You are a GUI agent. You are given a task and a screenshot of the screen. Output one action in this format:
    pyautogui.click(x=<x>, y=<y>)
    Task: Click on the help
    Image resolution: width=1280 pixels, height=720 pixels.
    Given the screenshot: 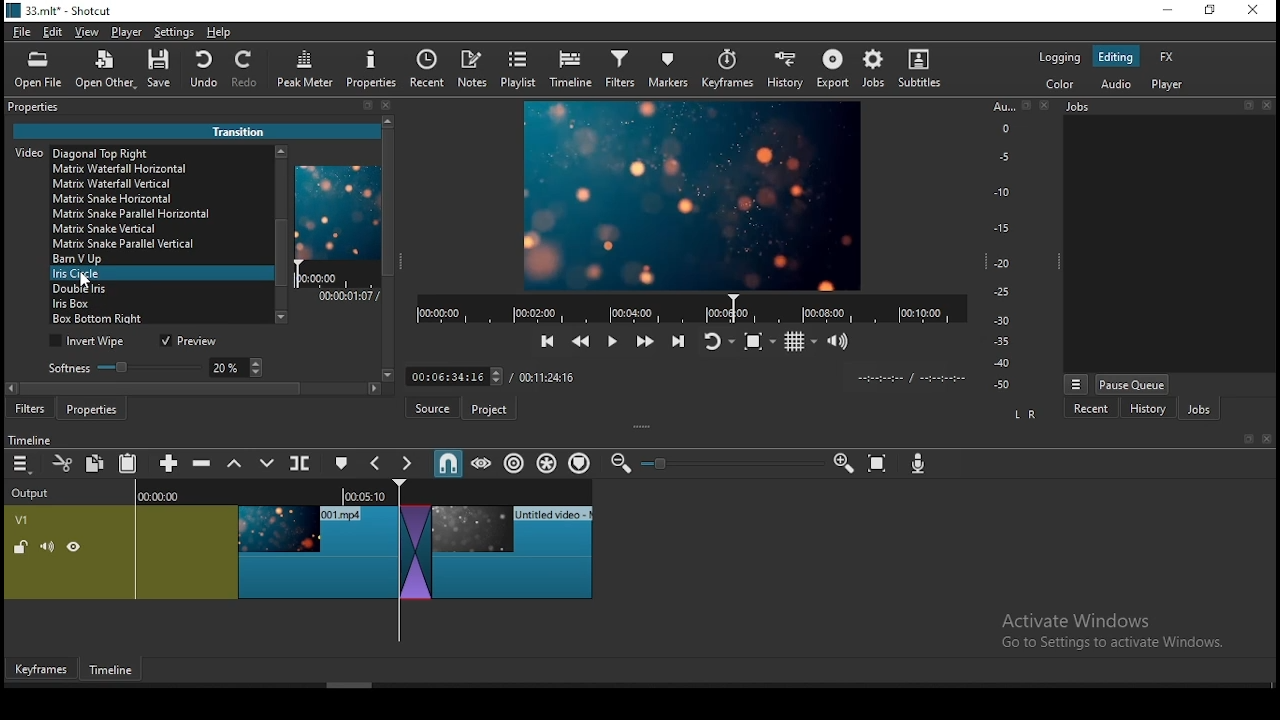 What is the action you would take?
    pyautogui.click(x=216, y=32)
    